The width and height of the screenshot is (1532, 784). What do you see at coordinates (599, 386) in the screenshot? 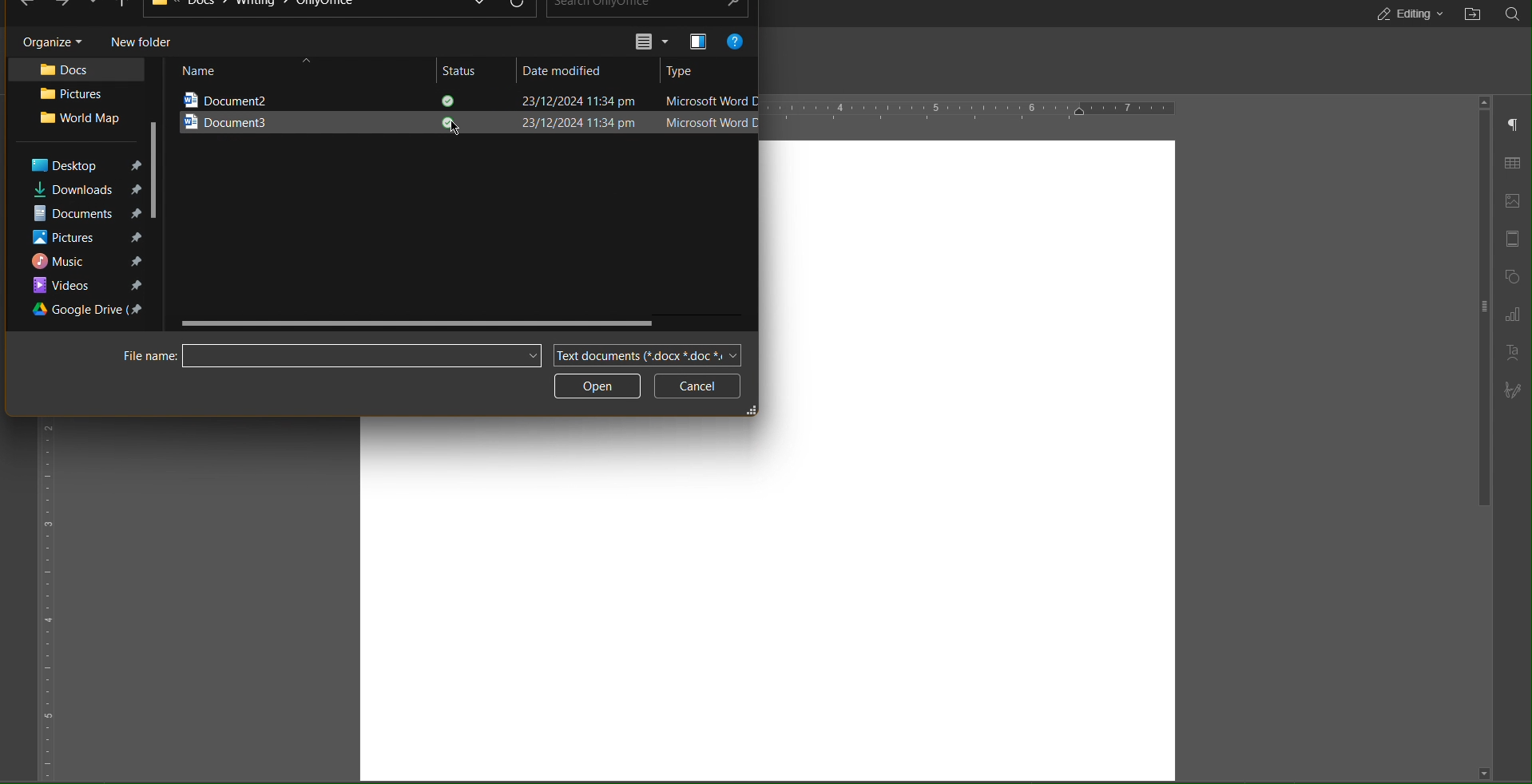
I see `Open` at bounding box center [599, 386].